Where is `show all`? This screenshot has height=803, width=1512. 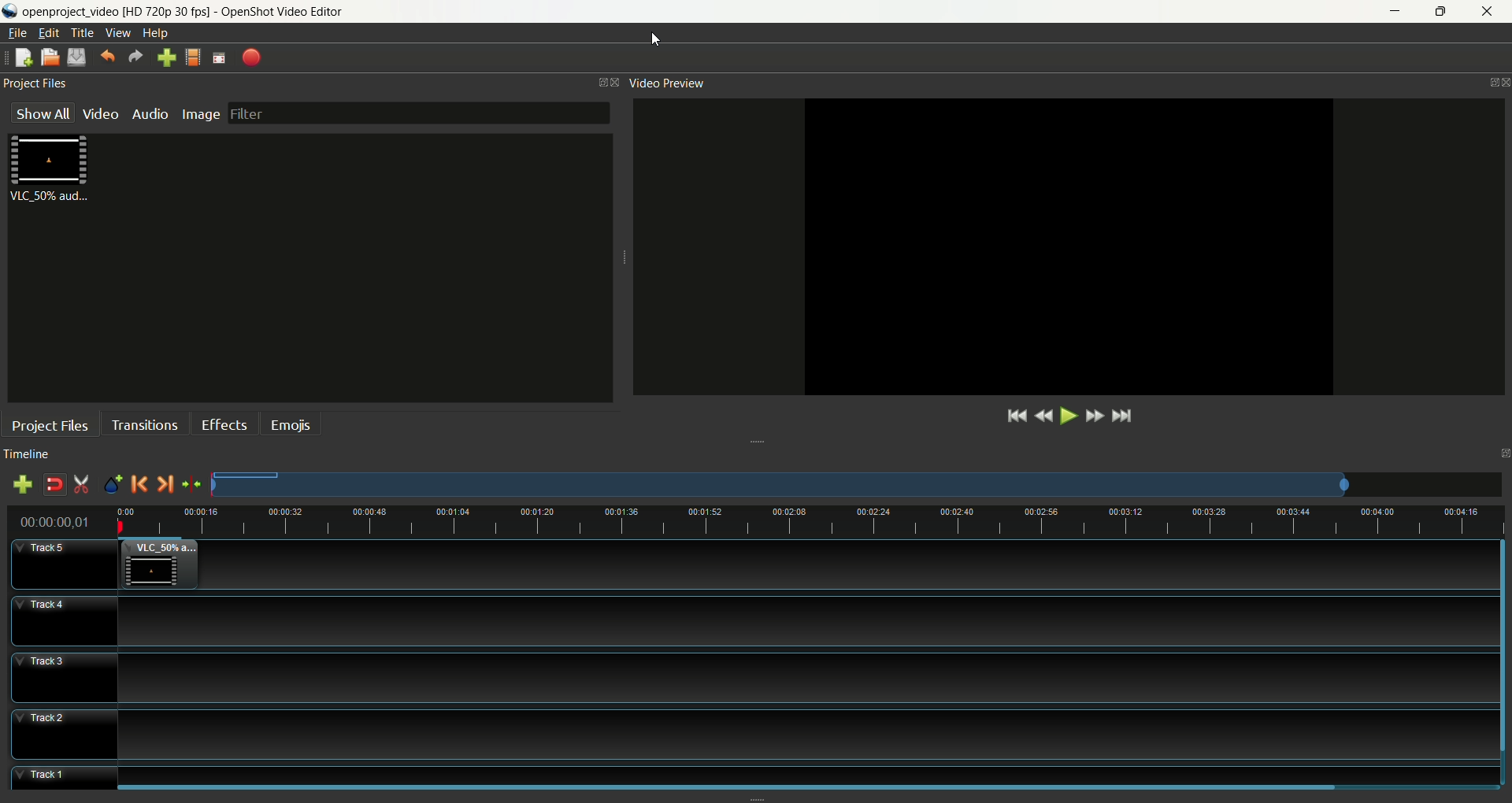 show all is located at coordinates (38, 112).